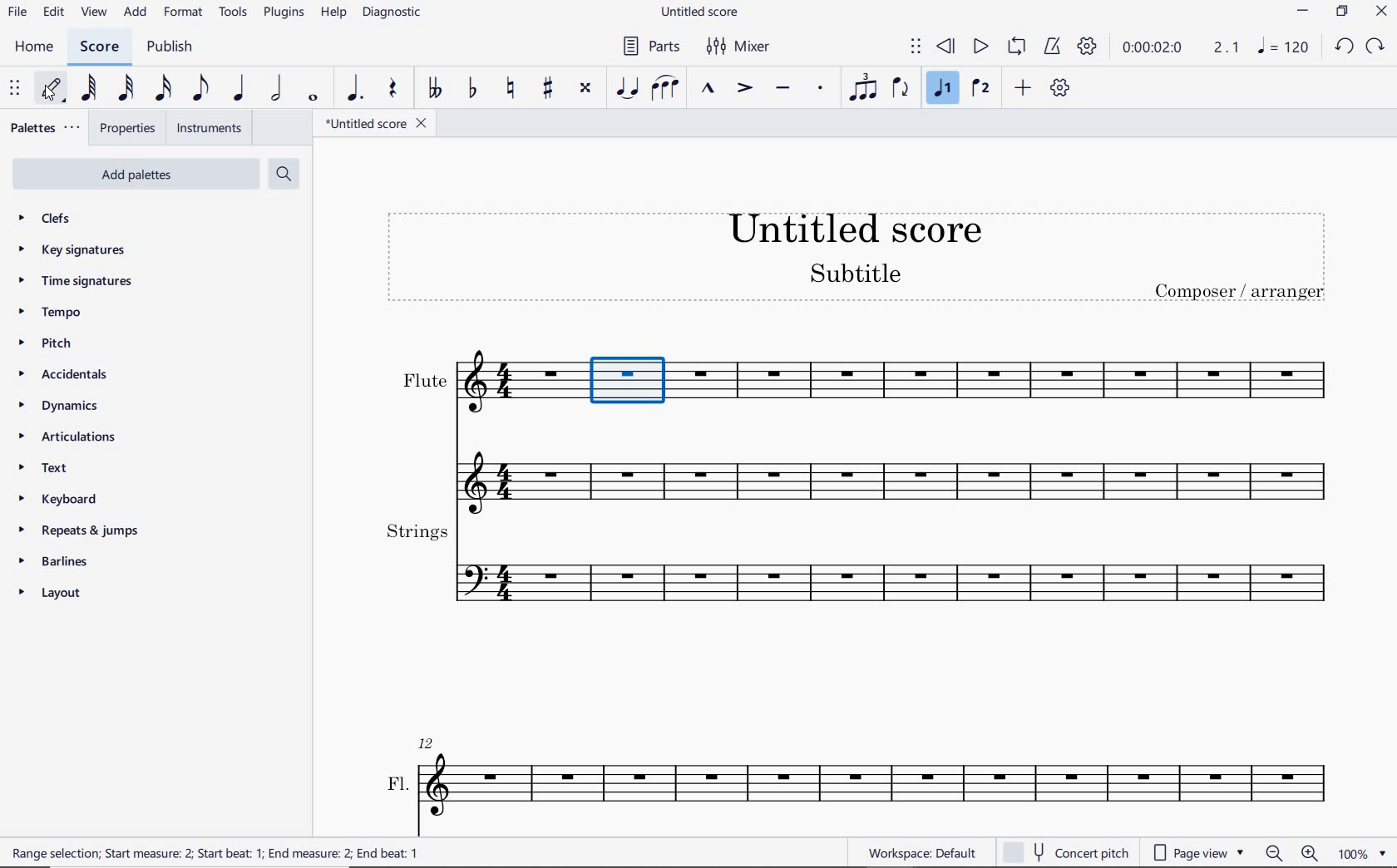  What do you see at coordinates (783, 86) in the screenshot?
I see `TENUTO` at bounding box center [783, 86].